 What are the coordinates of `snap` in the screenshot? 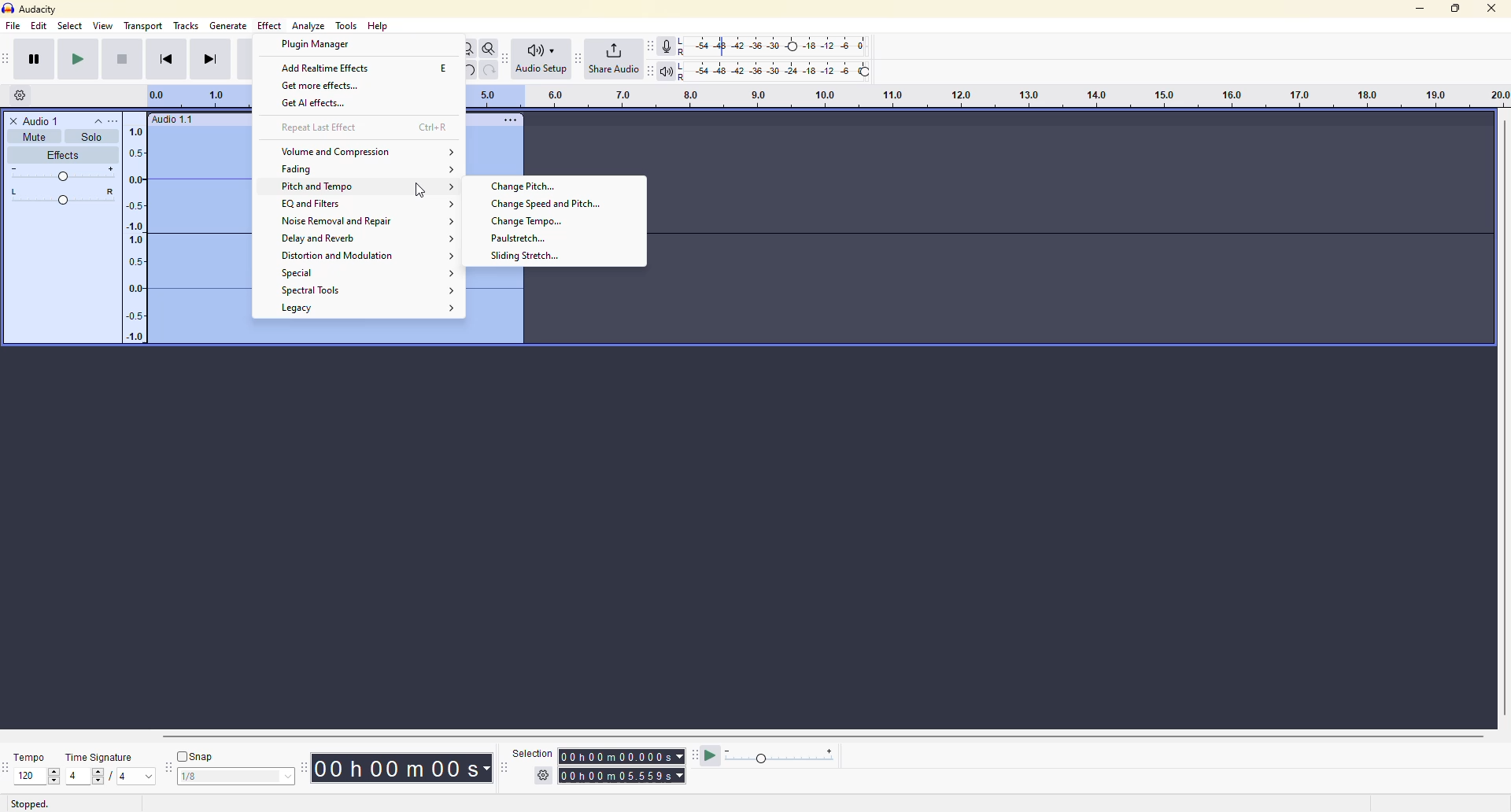 It's located at (198, 756).